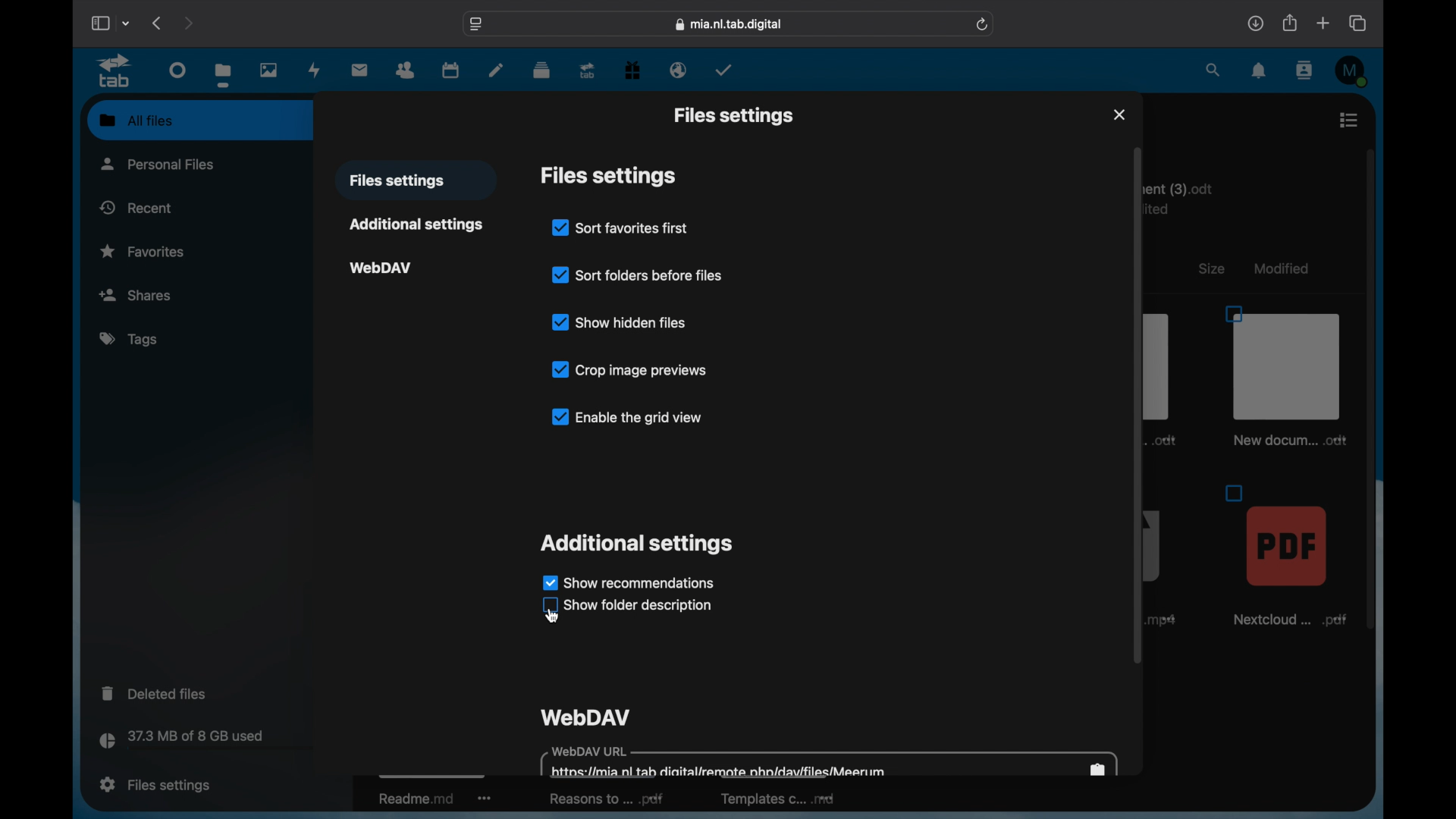  What do you see at coordinates (381, 268) in the screenshot?
I see `webdav` at bounding box center [381, 268].